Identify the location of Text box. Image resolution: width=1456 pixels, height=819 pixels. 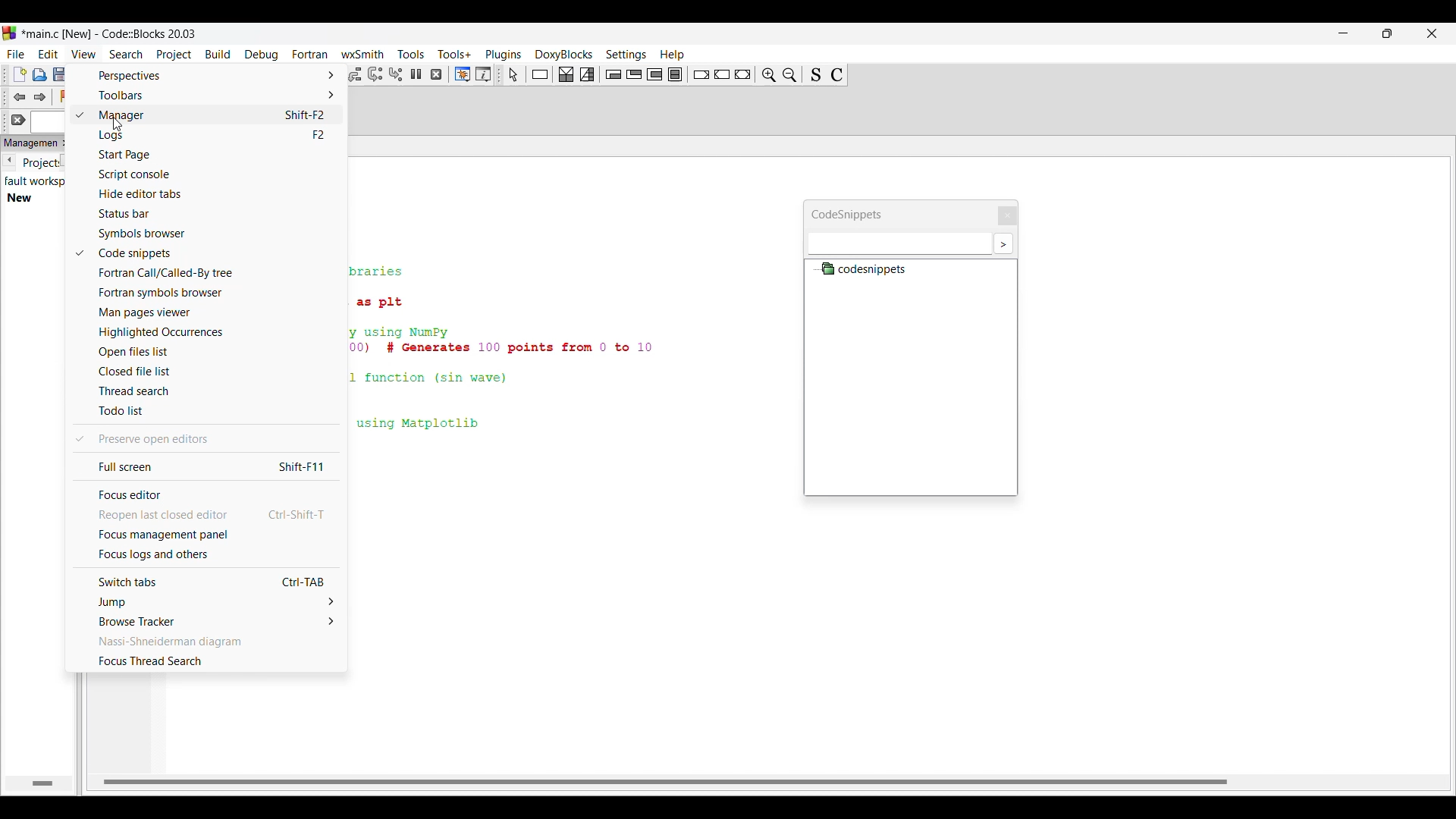
(896, 243).